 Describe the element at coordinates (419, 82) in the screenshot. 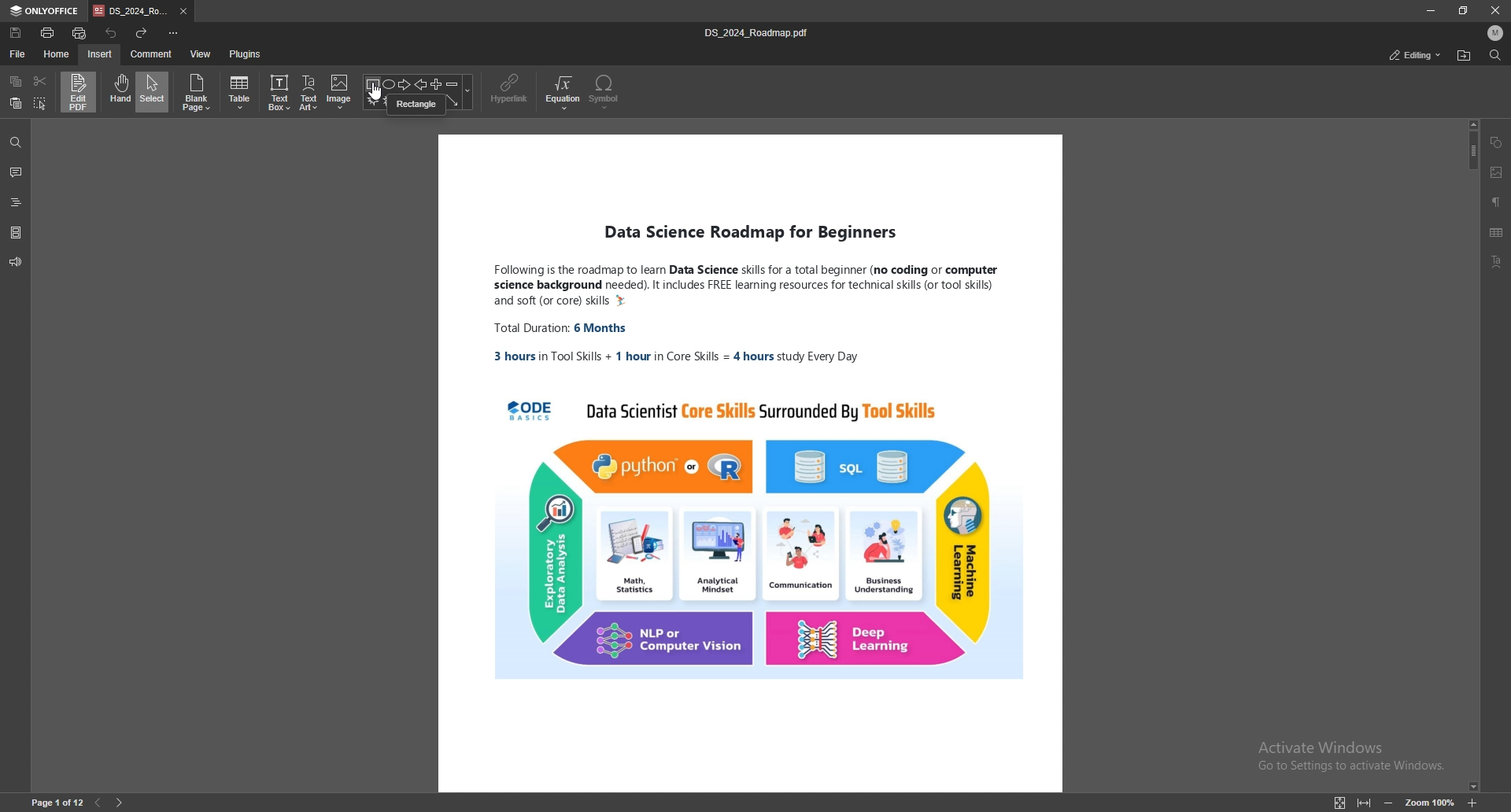

I see `shapes` at that location.